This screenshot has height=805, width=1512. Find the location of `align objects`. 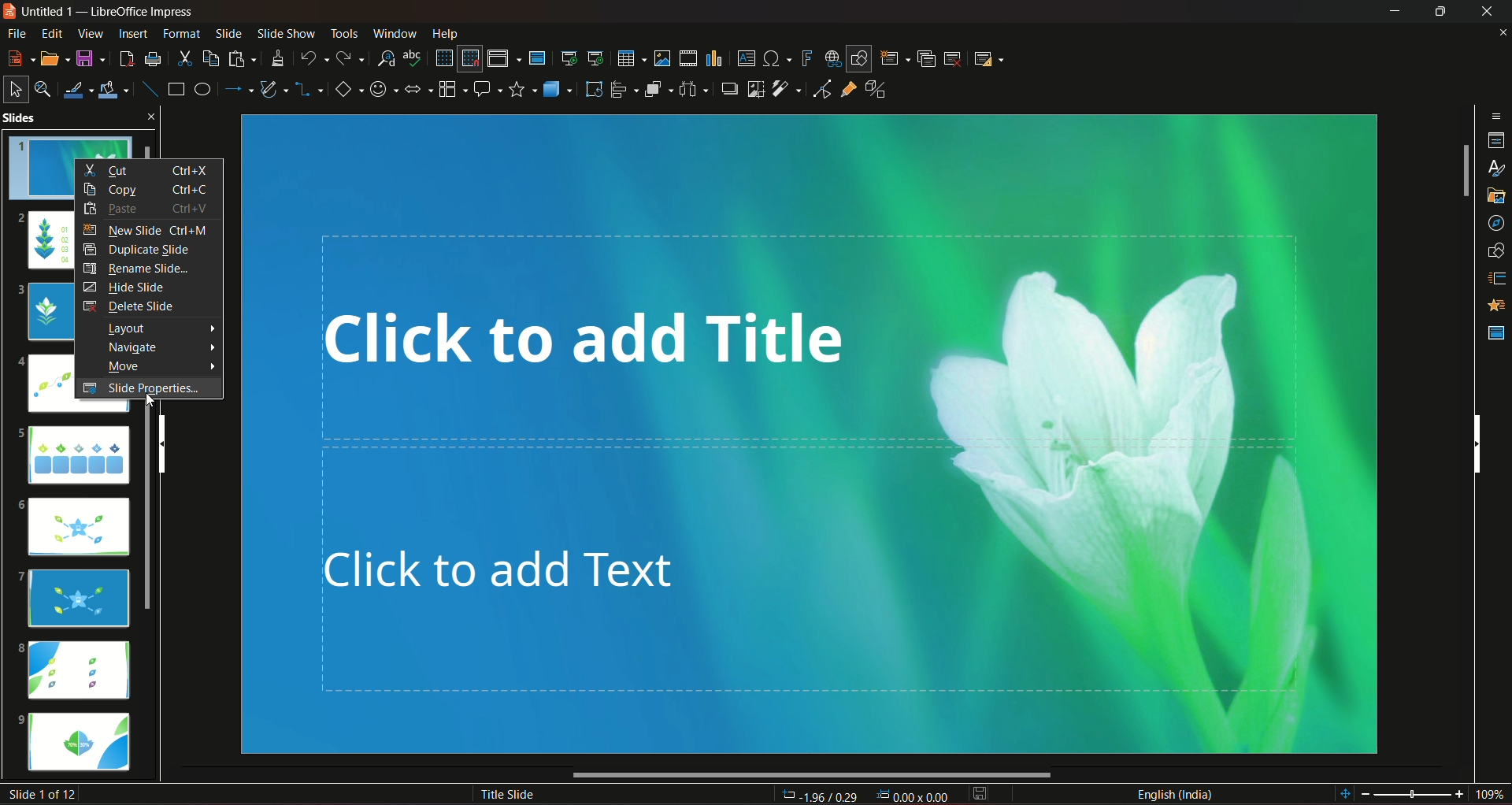

align objects is located at coordinates (623, 90).